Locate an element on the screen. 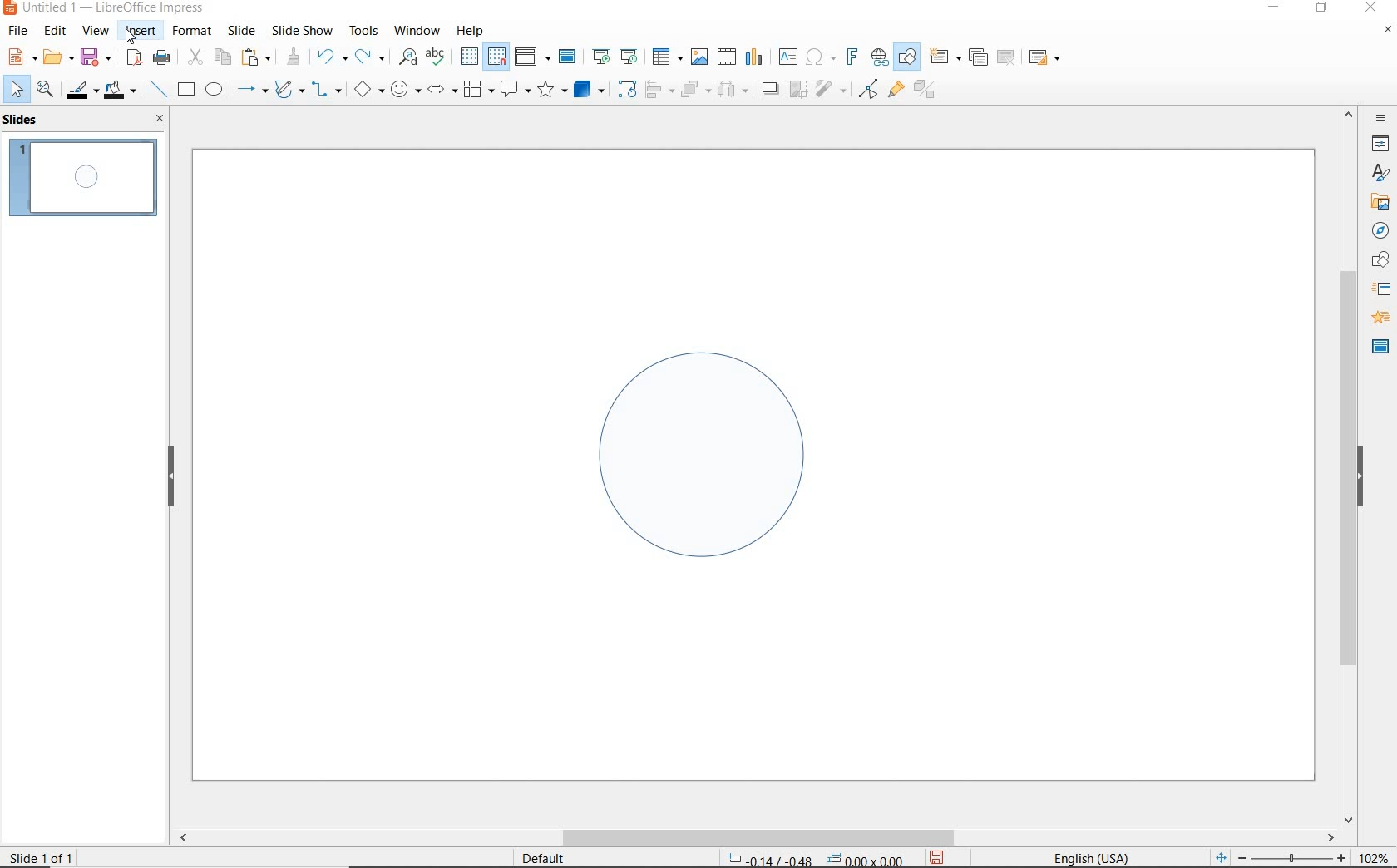  styles is located at coordinates (1380, 174).